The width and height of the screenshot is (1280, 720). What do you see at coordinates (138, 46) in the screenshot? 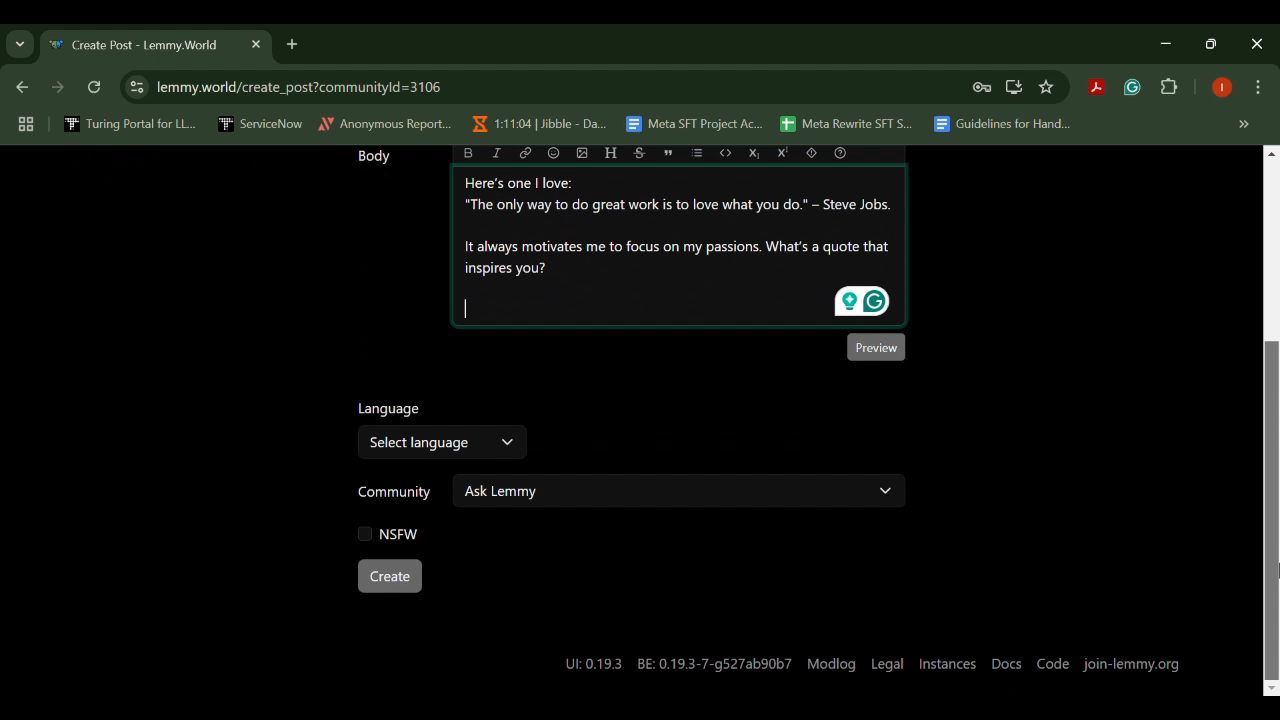
I see `Create Post - Lemmy.World` at bounding box center [138, 46].